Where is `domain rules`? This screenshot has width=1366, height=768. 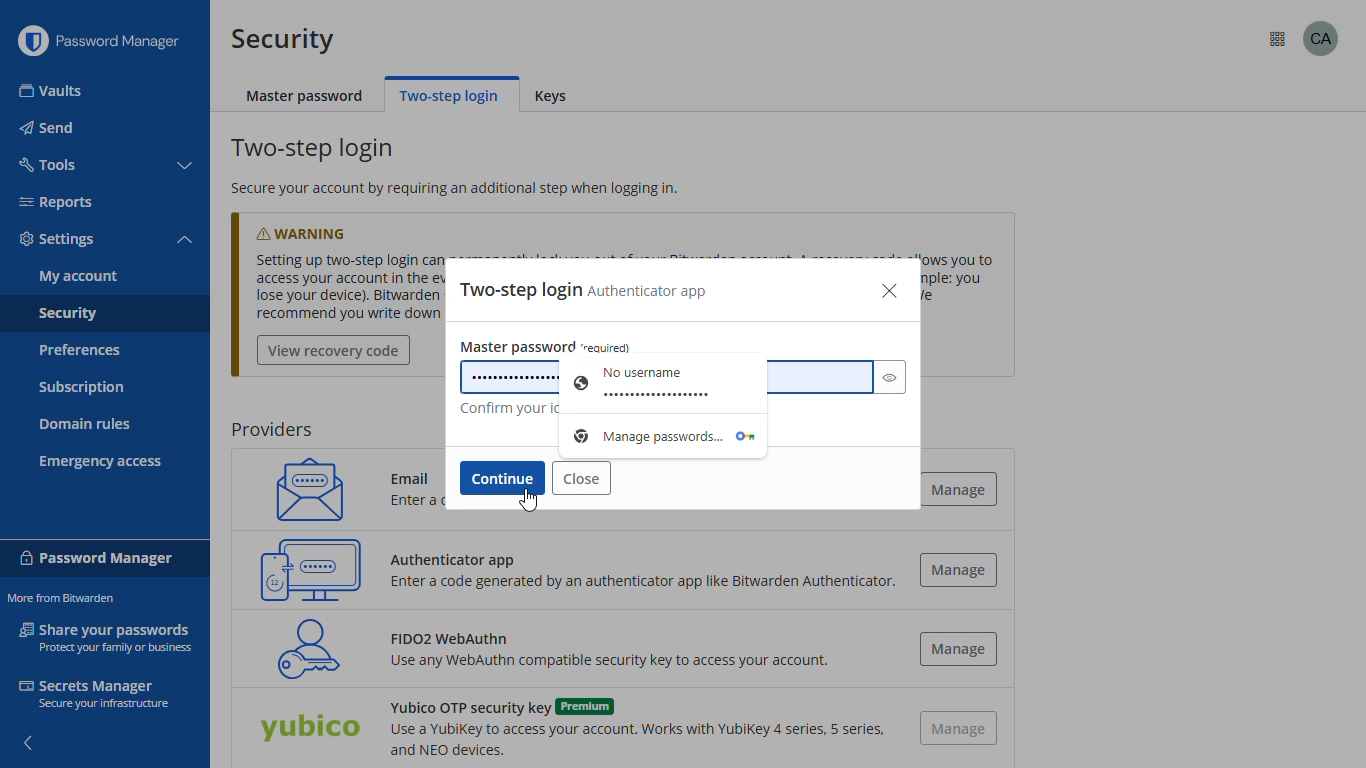
domain rules is located at coordinates (85, 426).